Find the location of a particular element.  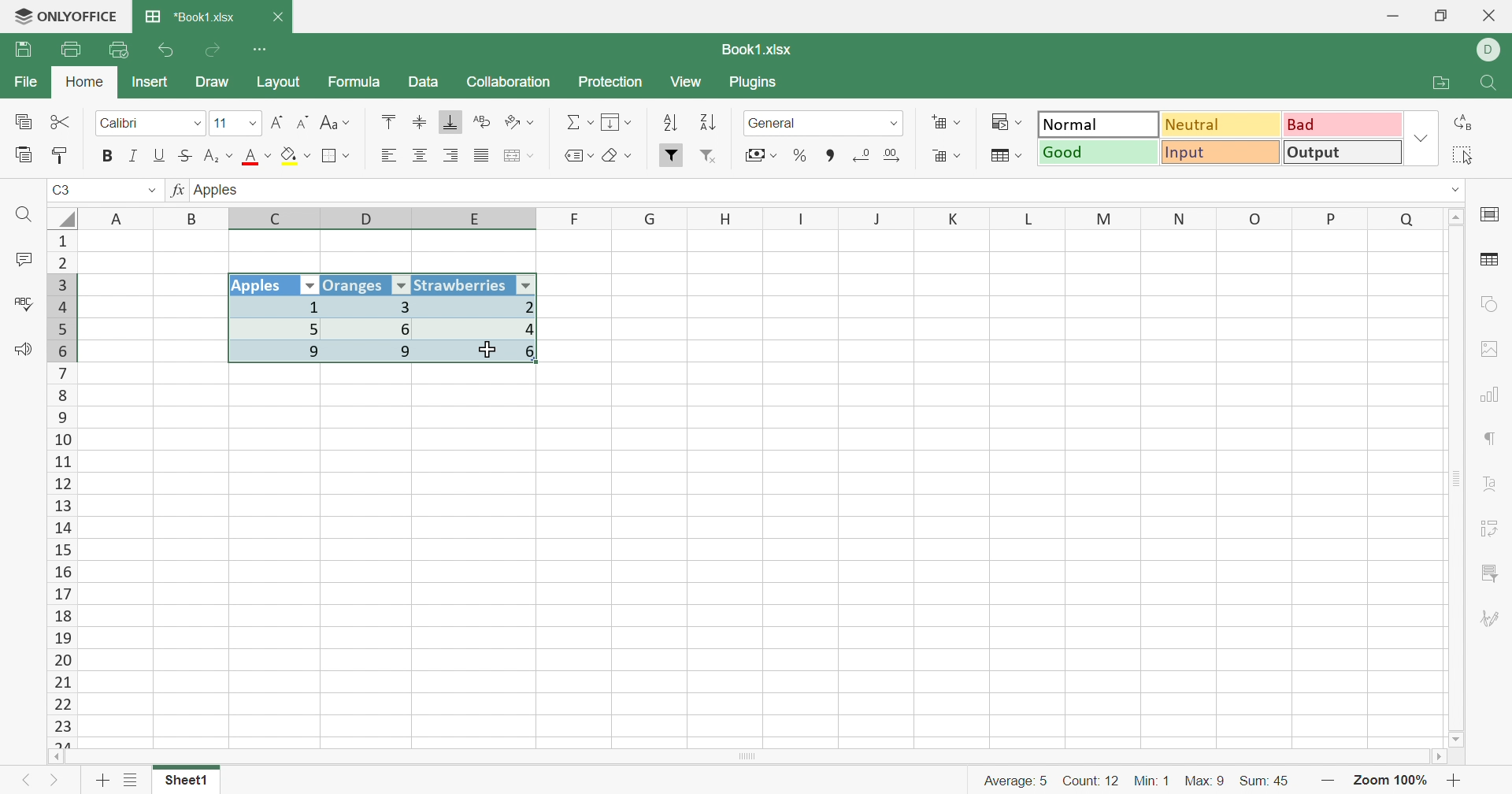

Strikethrough is located at coordinates (188, 155).